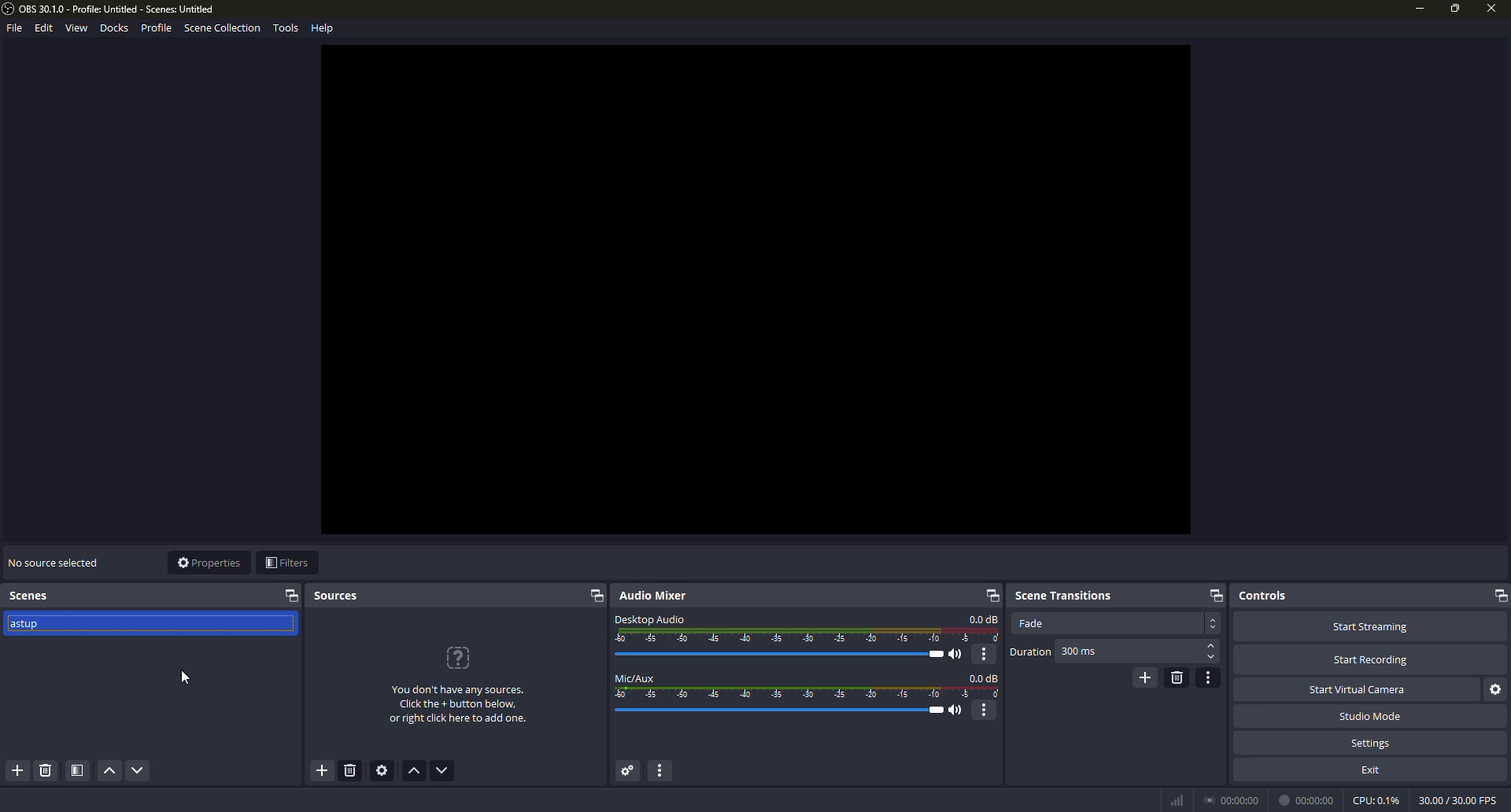 The image size is (1511, 812). Describe the element at coordinates (1177, 677) in the screenshot. I see `remove configurable transition` at that location.